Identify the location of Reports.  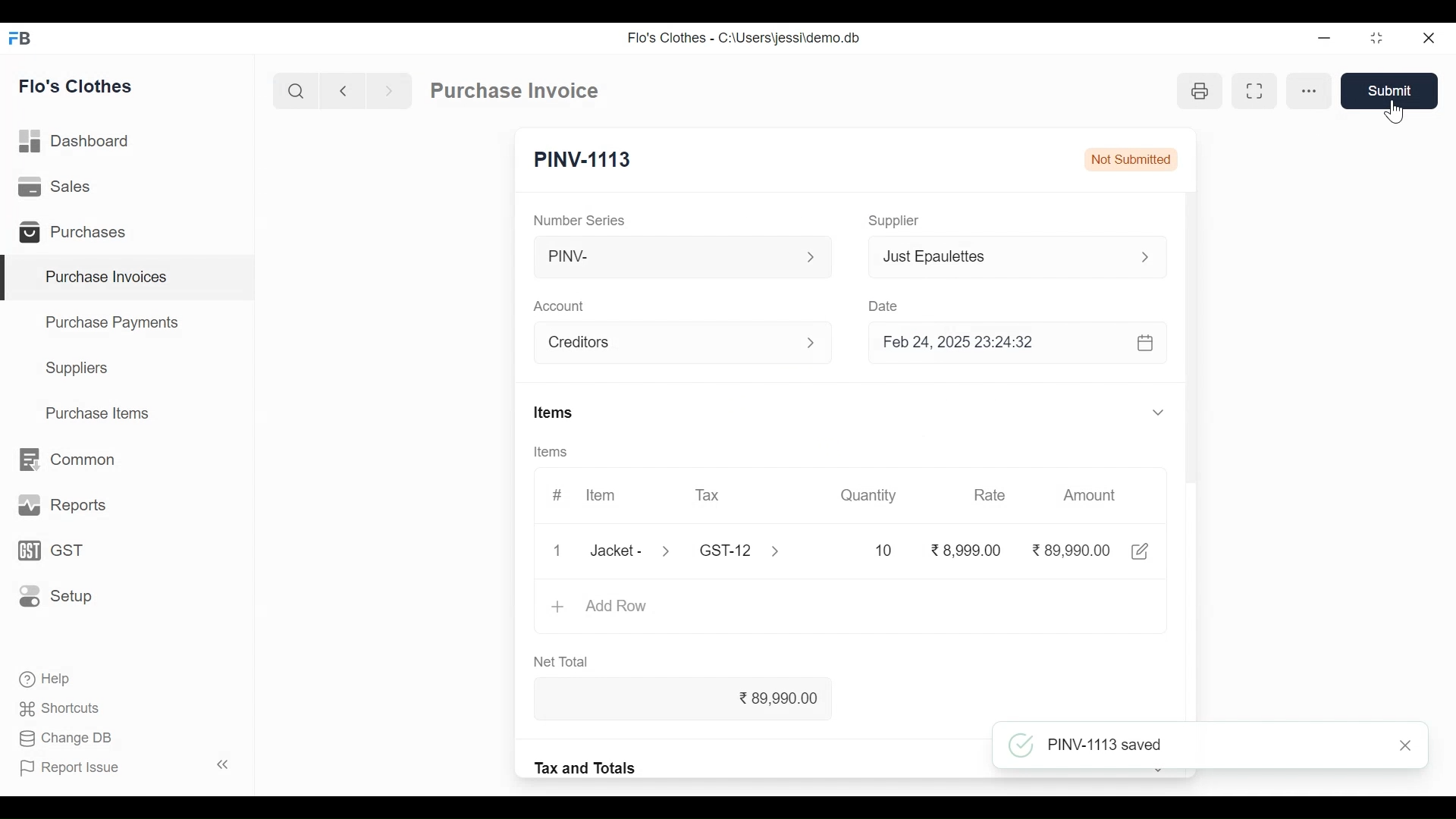
(59, 504).